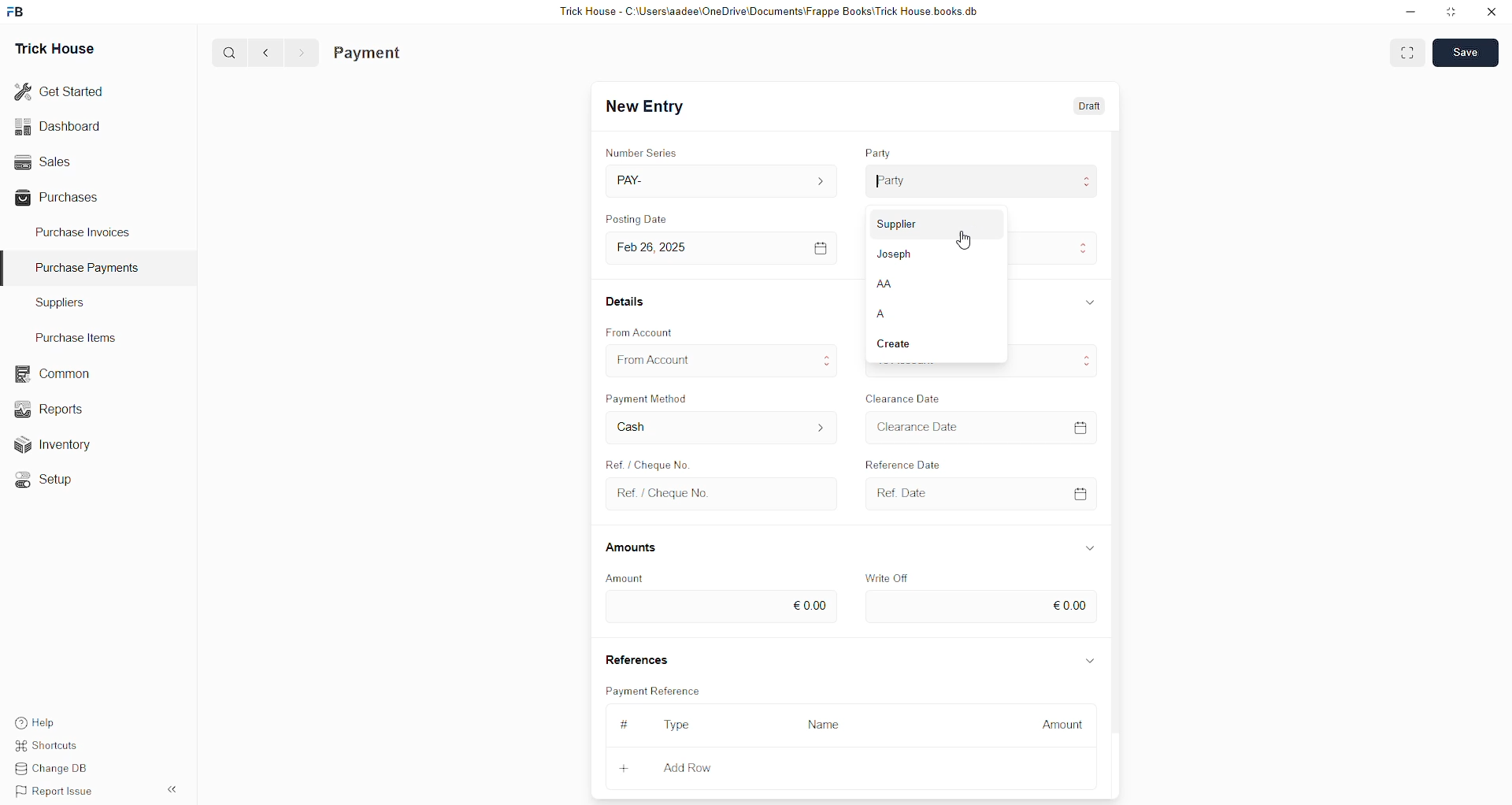  What do you see at coordinates (653, 690) in the screenshot?
I see `Payment Reference` at bounding box center [653, 690].